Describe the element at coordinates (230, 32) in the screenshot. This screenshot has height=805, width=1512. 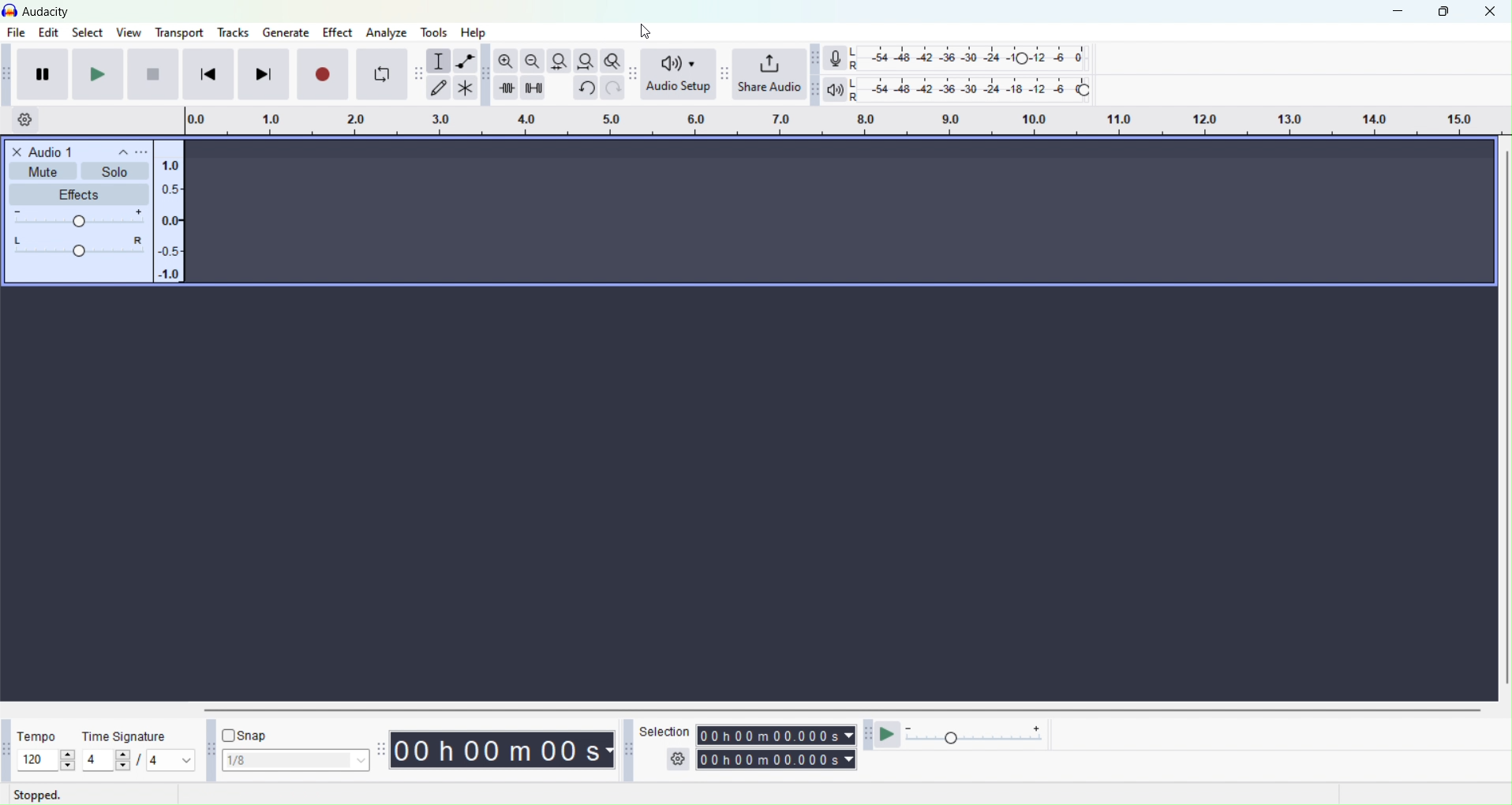
I see `Tools` at that location.